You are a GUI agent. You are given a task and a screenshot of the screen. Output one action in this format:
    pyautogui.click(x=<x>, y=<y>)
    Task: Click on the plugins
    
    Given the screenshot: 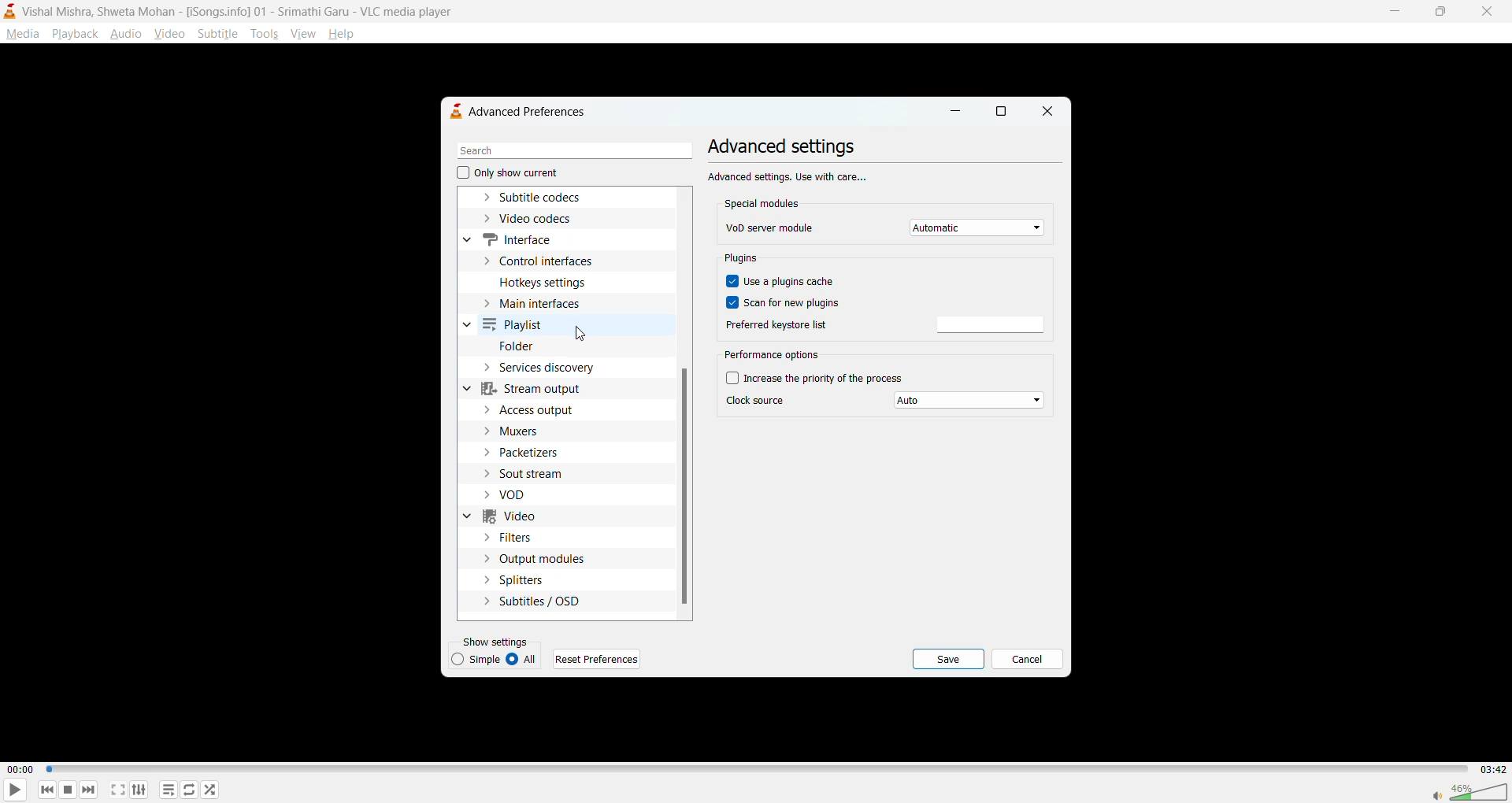 What is the action you would take?
    pyautogui.click(x=746, y=261)
    